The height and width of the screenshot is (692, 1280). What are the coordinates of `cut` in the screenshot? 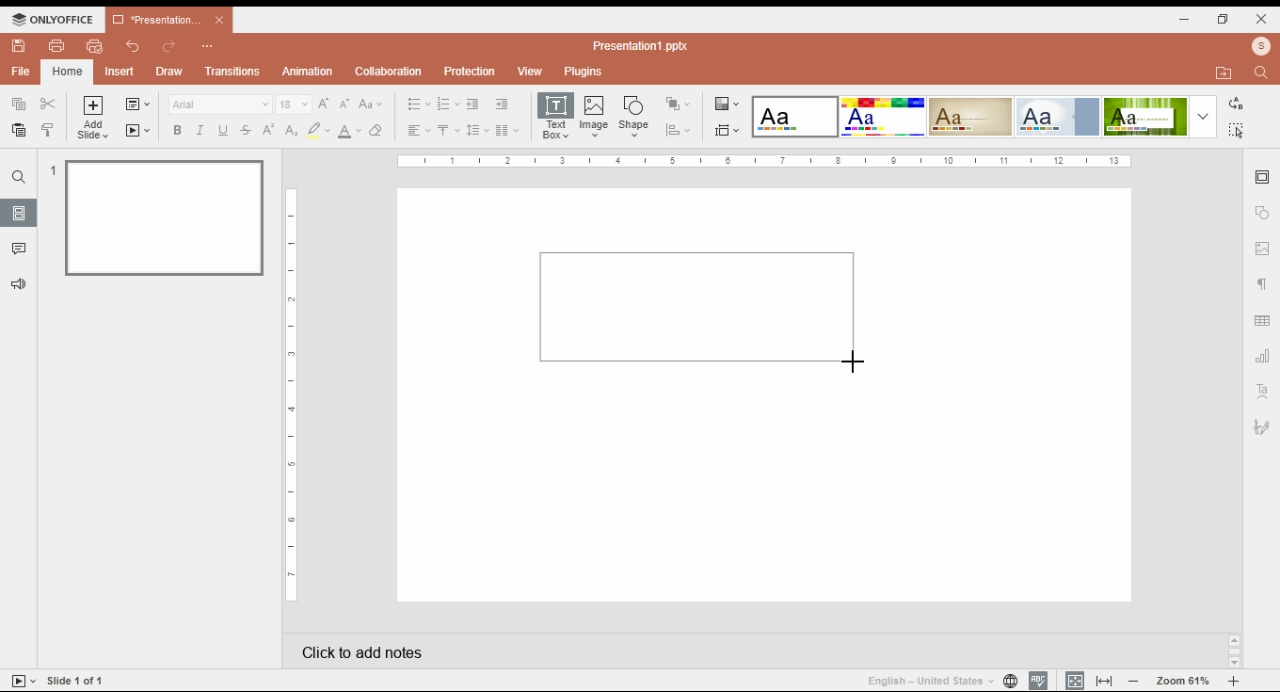 It's located at (48, 103).